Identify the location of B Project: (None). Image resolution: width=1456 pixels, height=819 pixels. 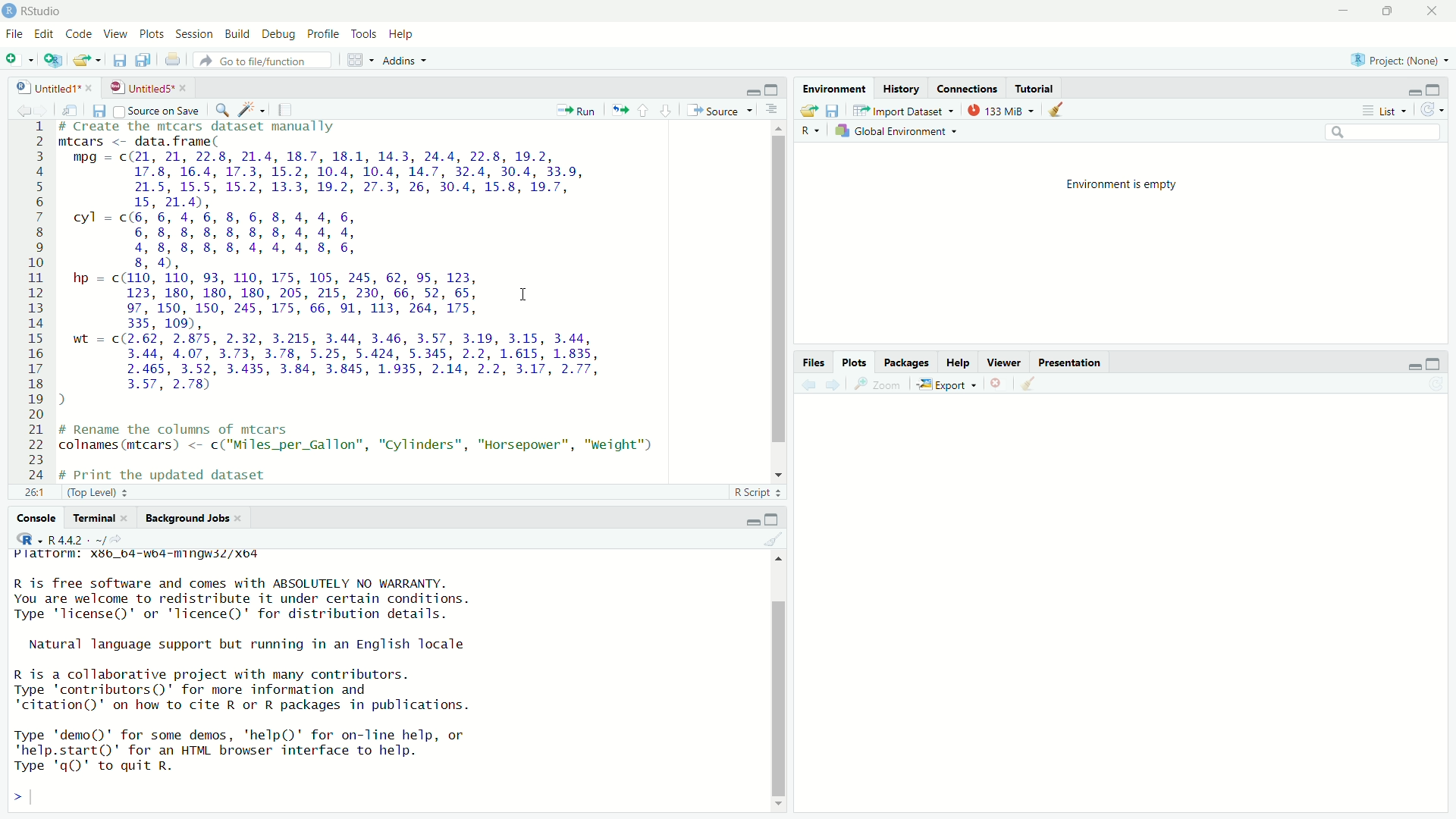
(1396, 61).